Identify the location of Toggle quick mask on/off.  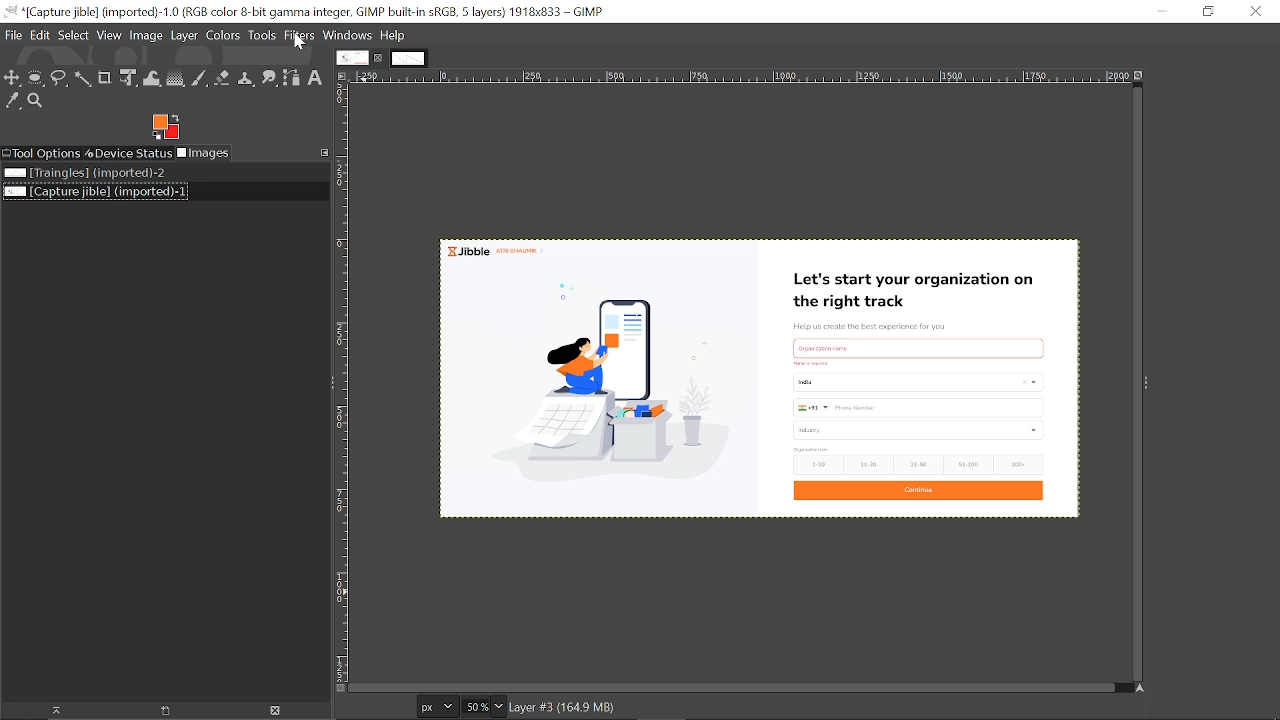
(338, 689).